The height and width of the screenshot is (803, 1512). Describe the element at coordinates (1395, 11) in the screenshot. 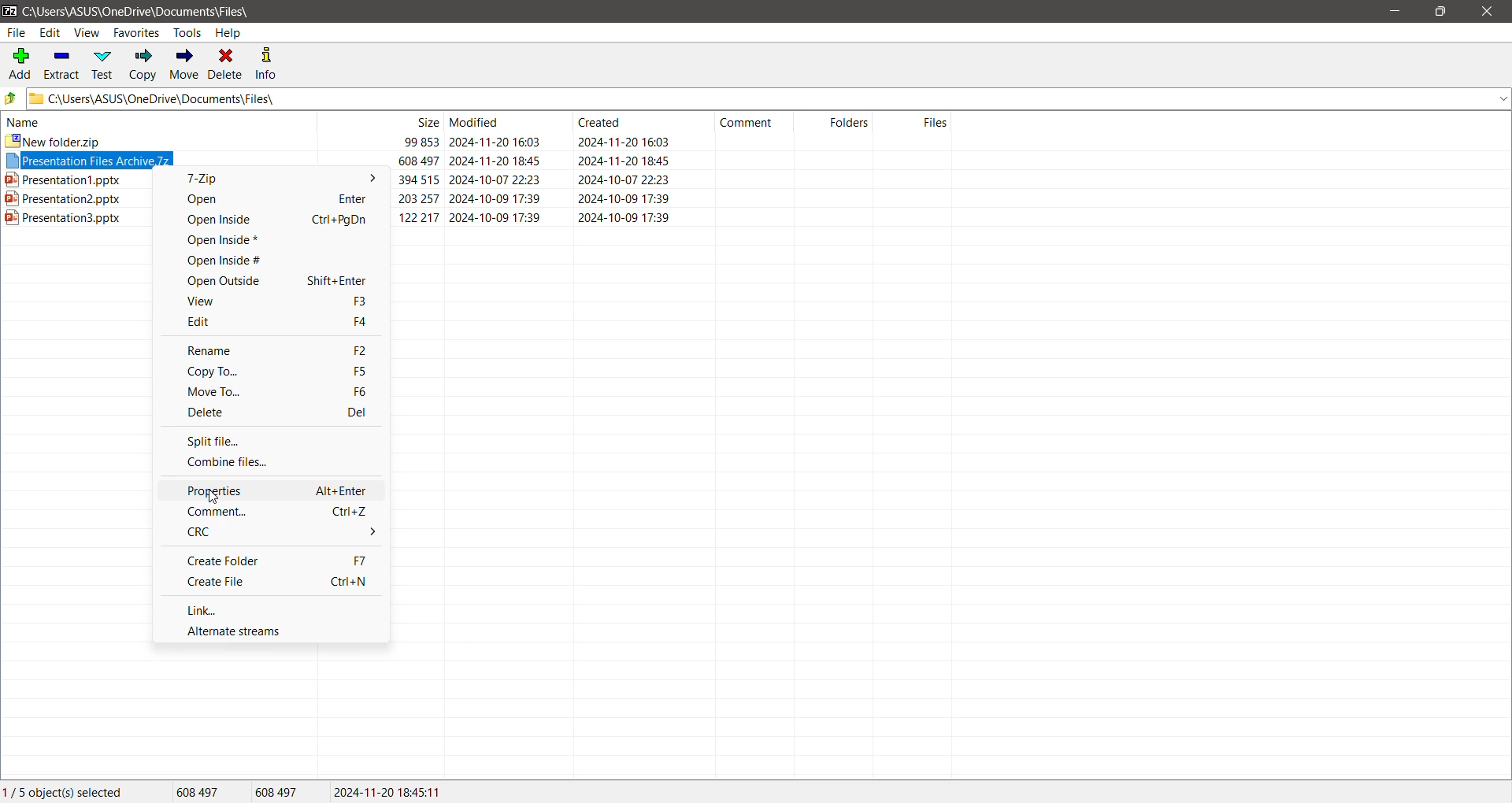

I see `Minimize` at that location.